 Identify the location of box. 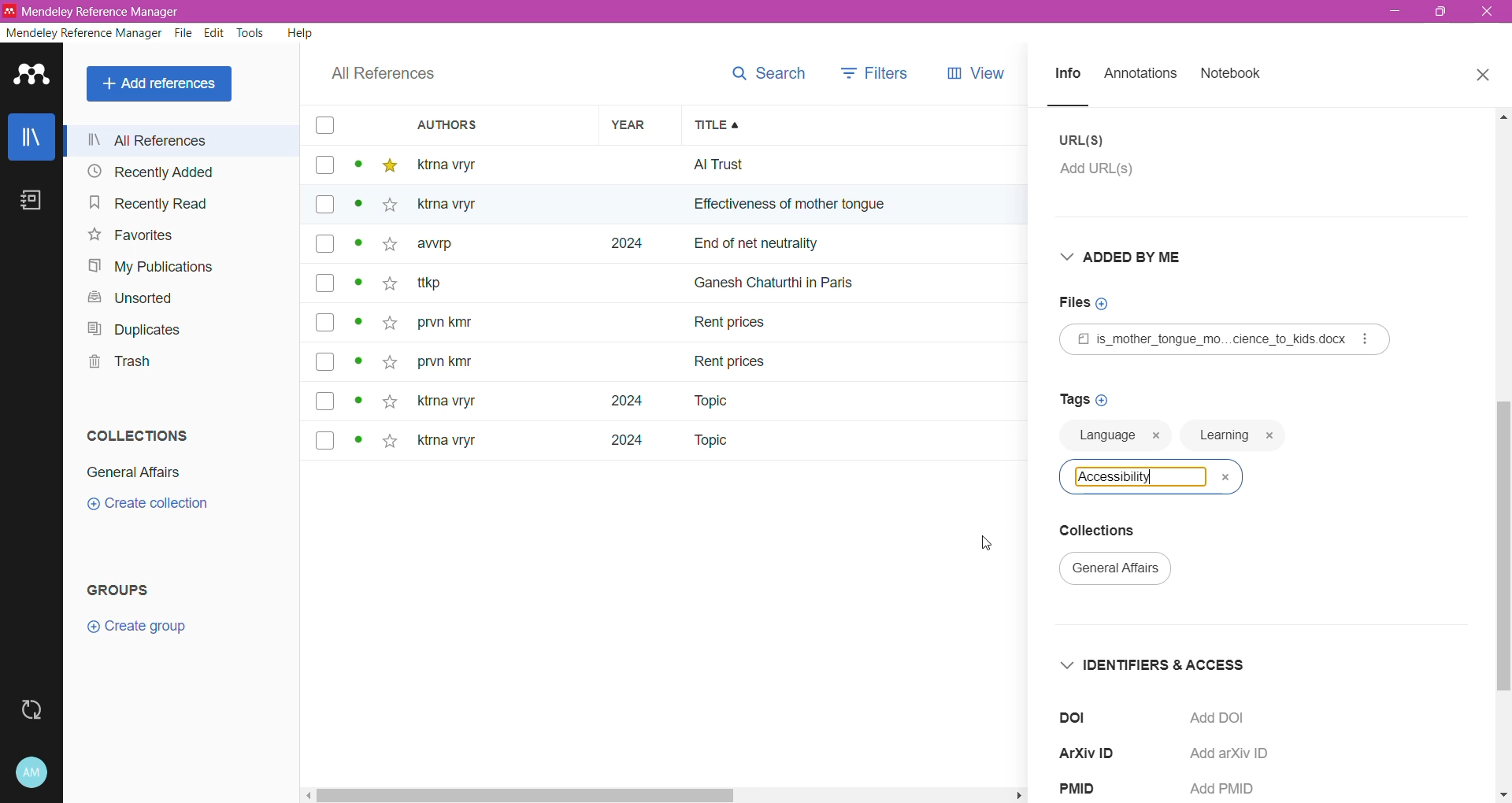
(324, 166).